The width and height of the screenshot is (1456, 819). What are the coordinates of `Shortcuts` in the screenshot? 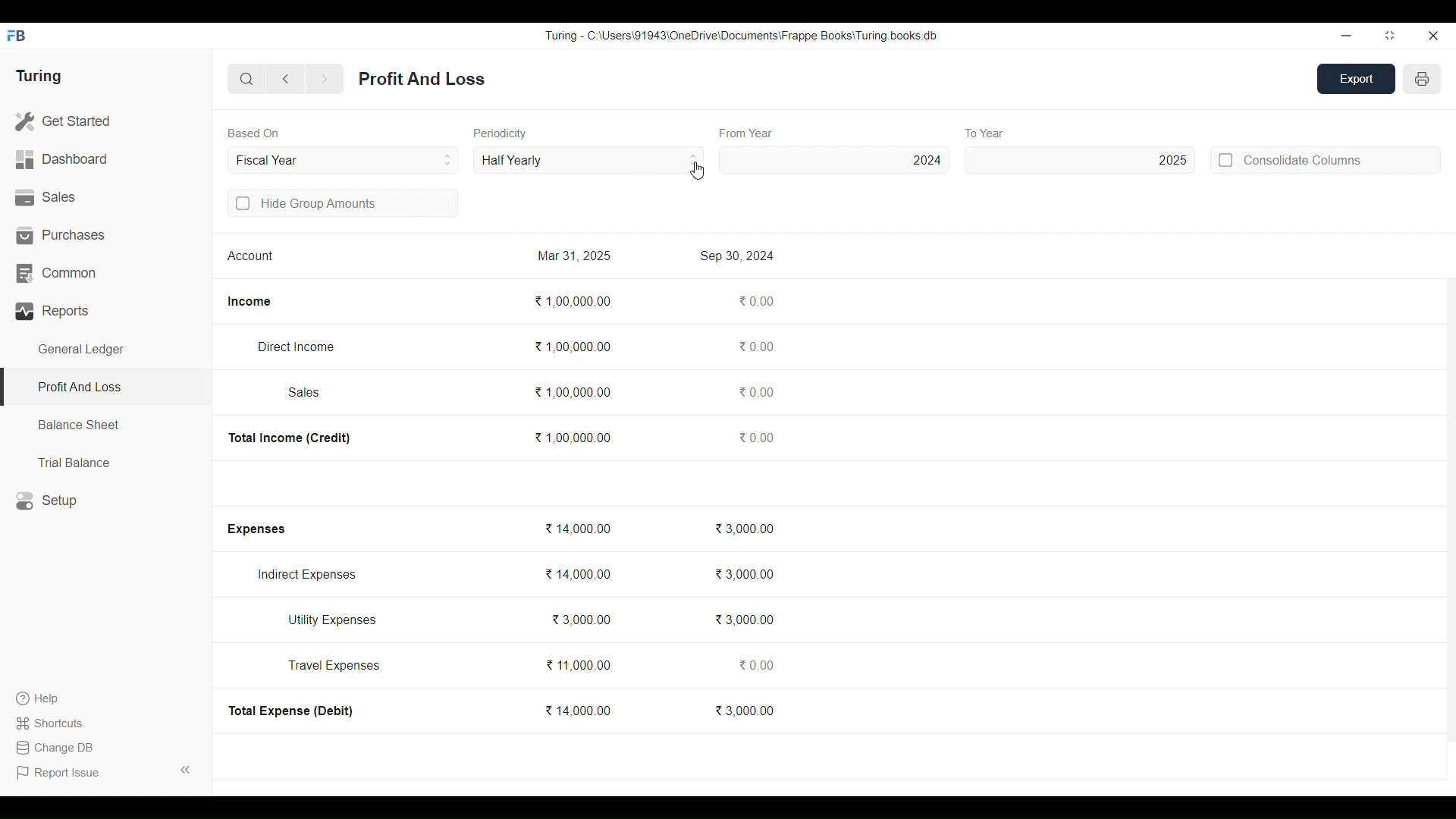 It's located at (52, 723).